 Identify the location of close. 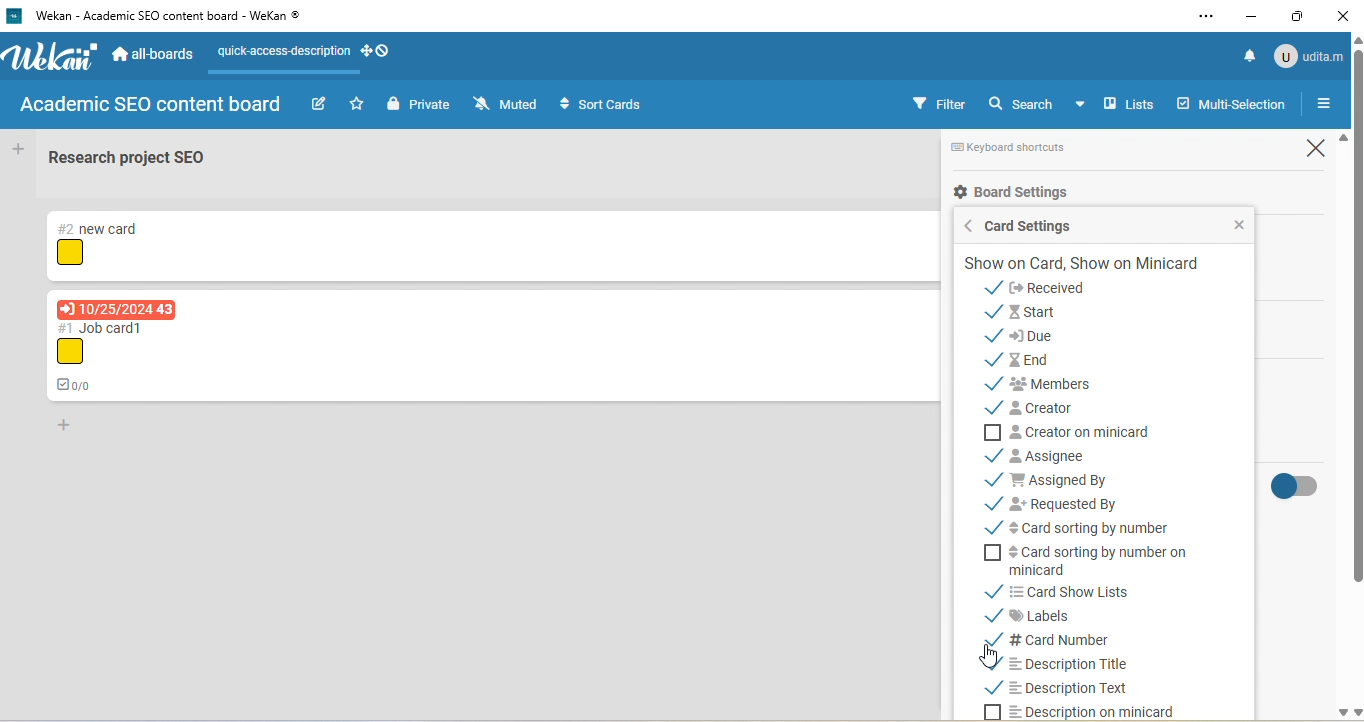
(1320, 149).